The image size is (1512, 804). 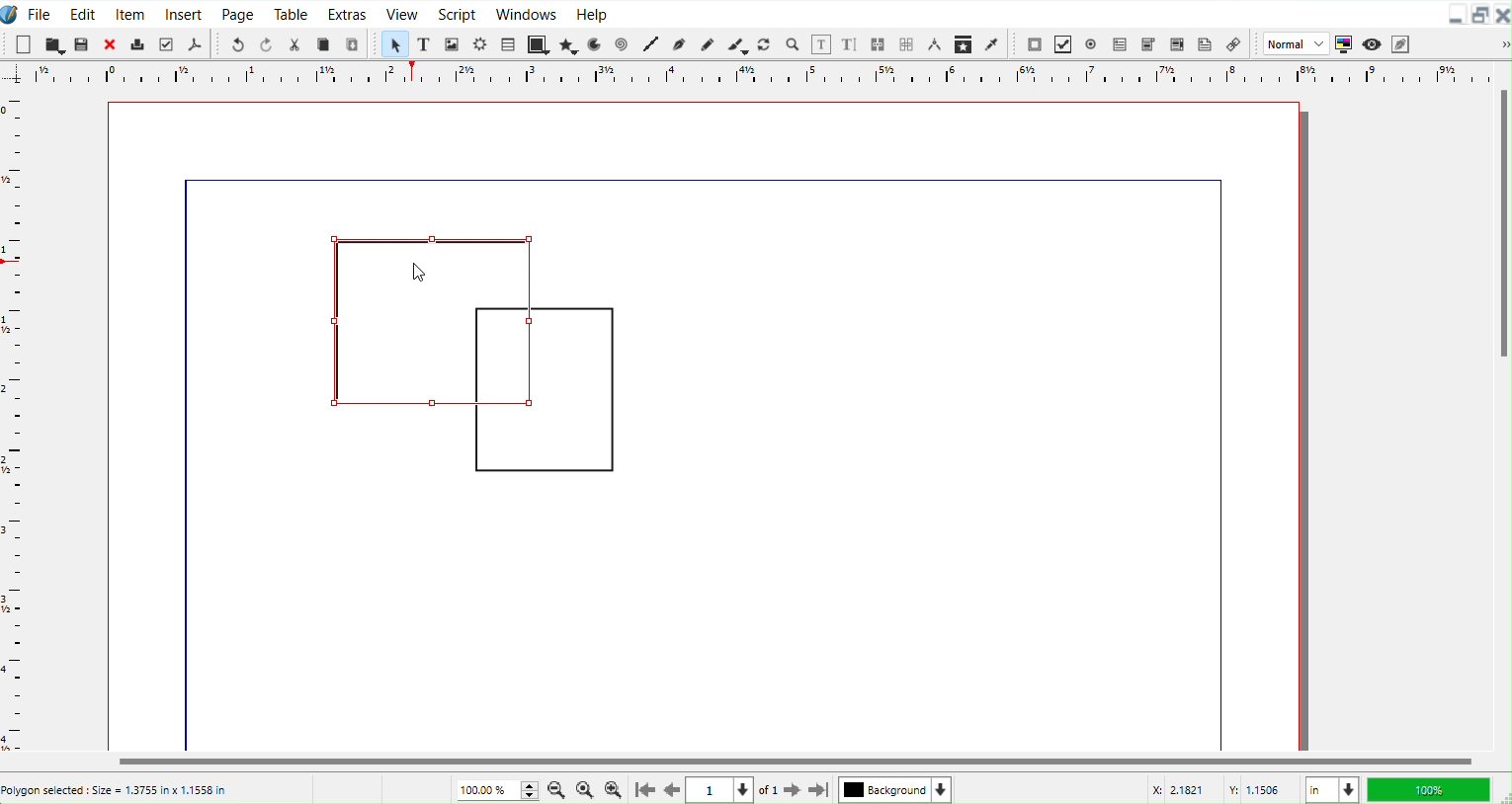 What do you see at coordinates (706, 43) in the screenshot?
I see `Freehand line` at bounding box center [706, 43].